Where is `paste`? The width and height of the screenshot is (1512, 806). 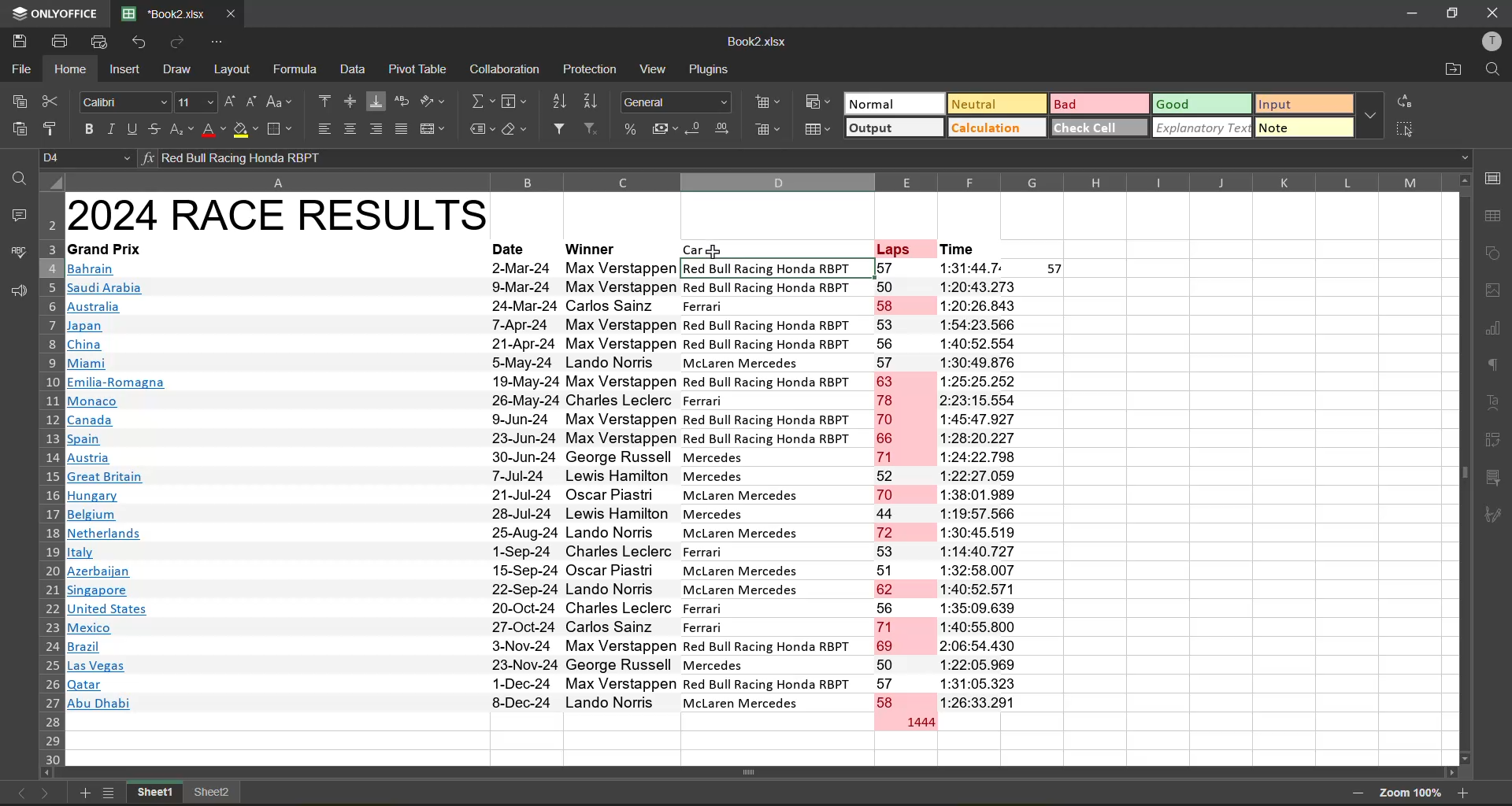 paste is located at coordinates (19, 126).